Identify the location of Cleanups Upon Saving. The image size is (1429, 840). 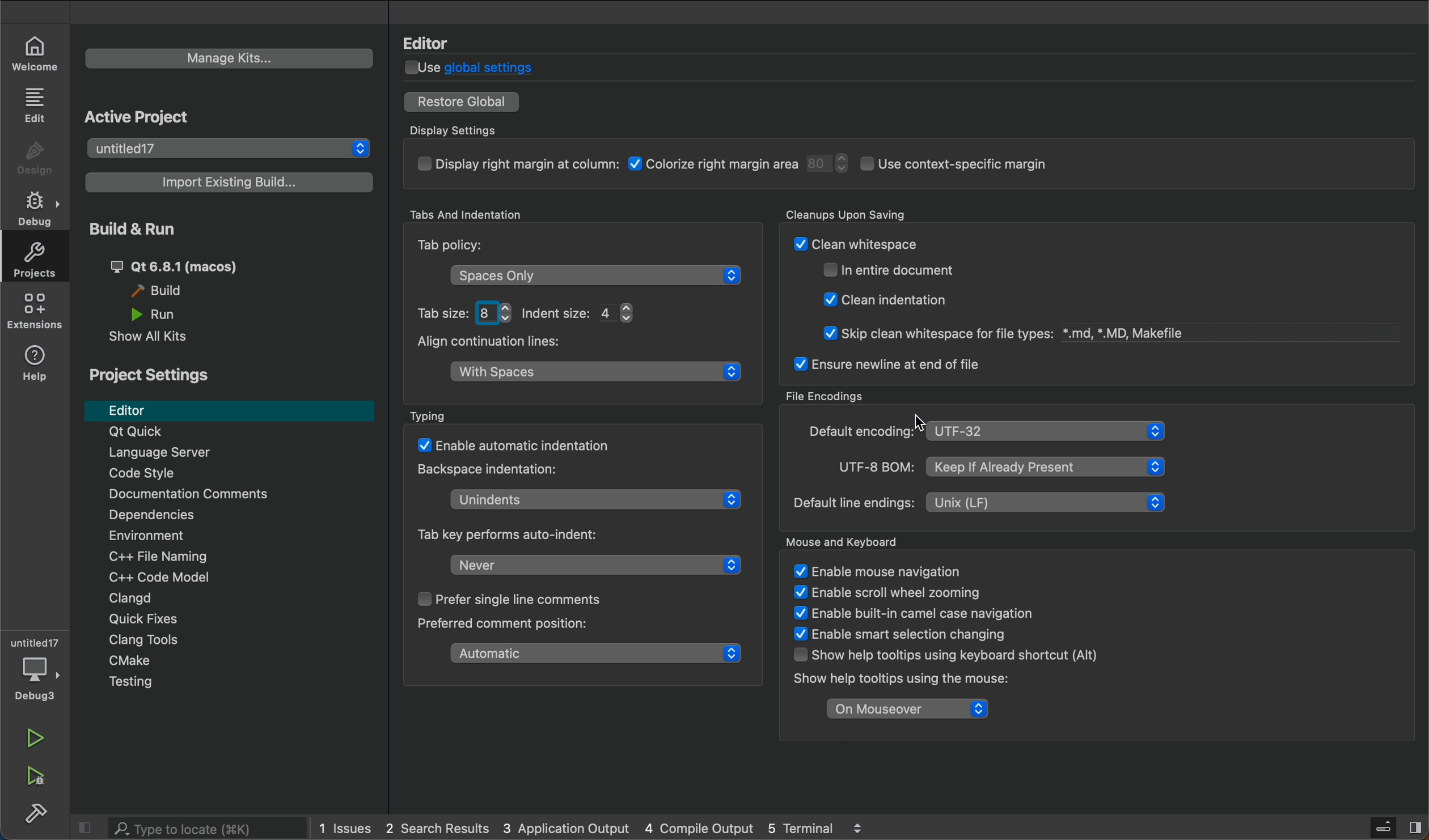
(846, 212).